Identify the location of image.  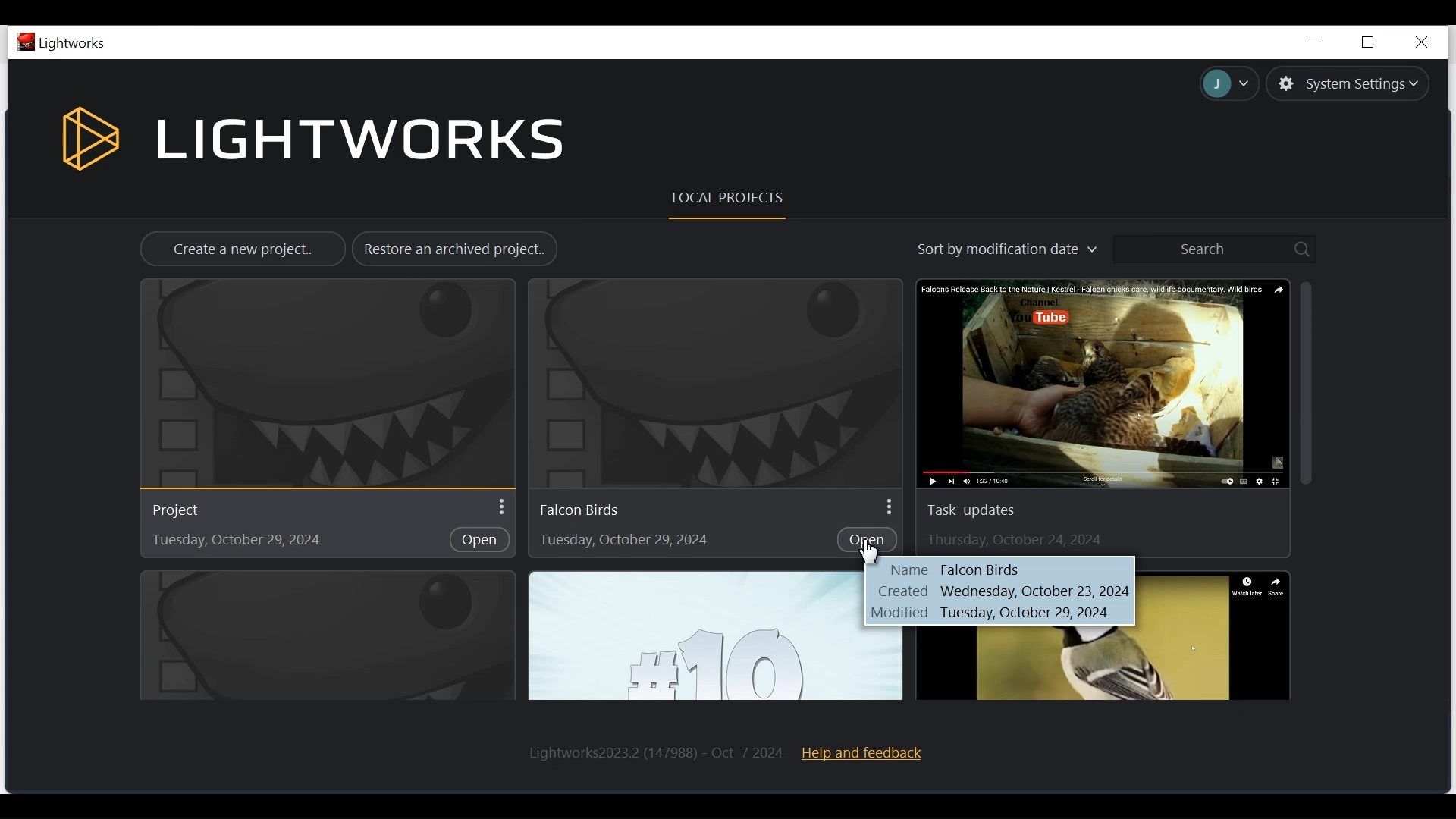
(326, 636).